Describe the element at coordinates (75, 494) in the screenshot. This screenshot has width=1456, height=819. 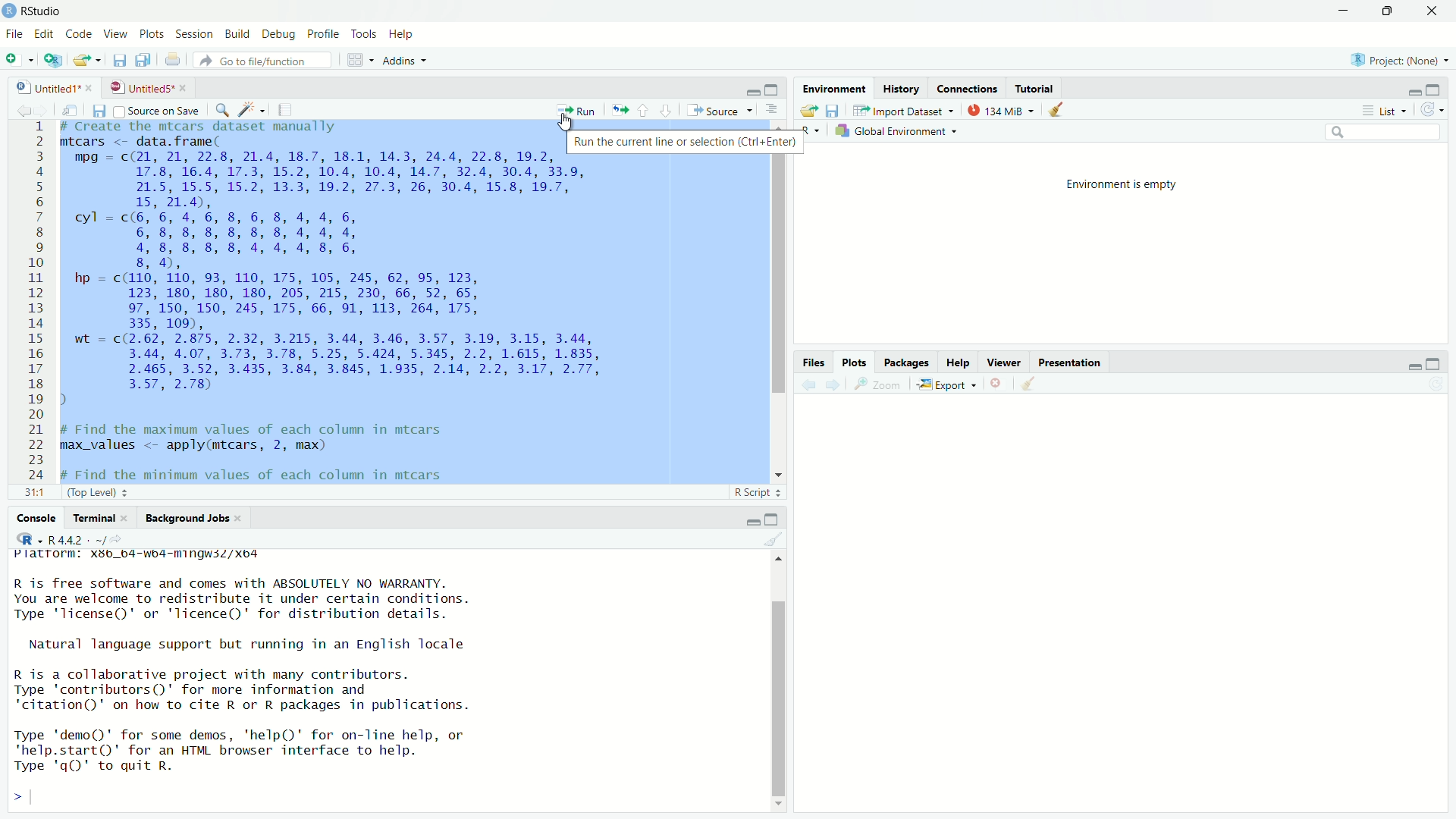
I see `30:1 (Top Level) +` at that location.